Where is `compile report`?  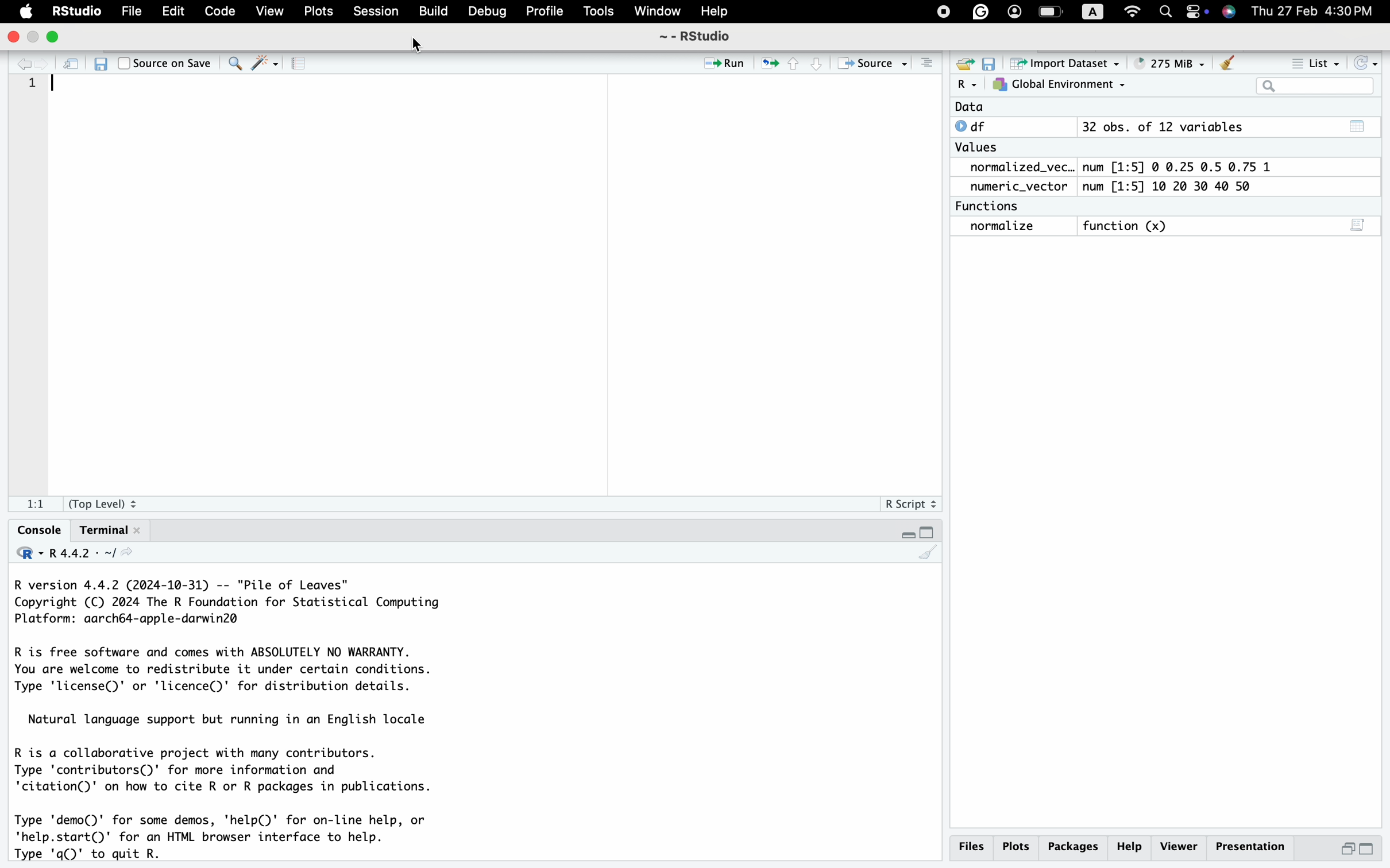
compile report is located at coordinates (298, 64).